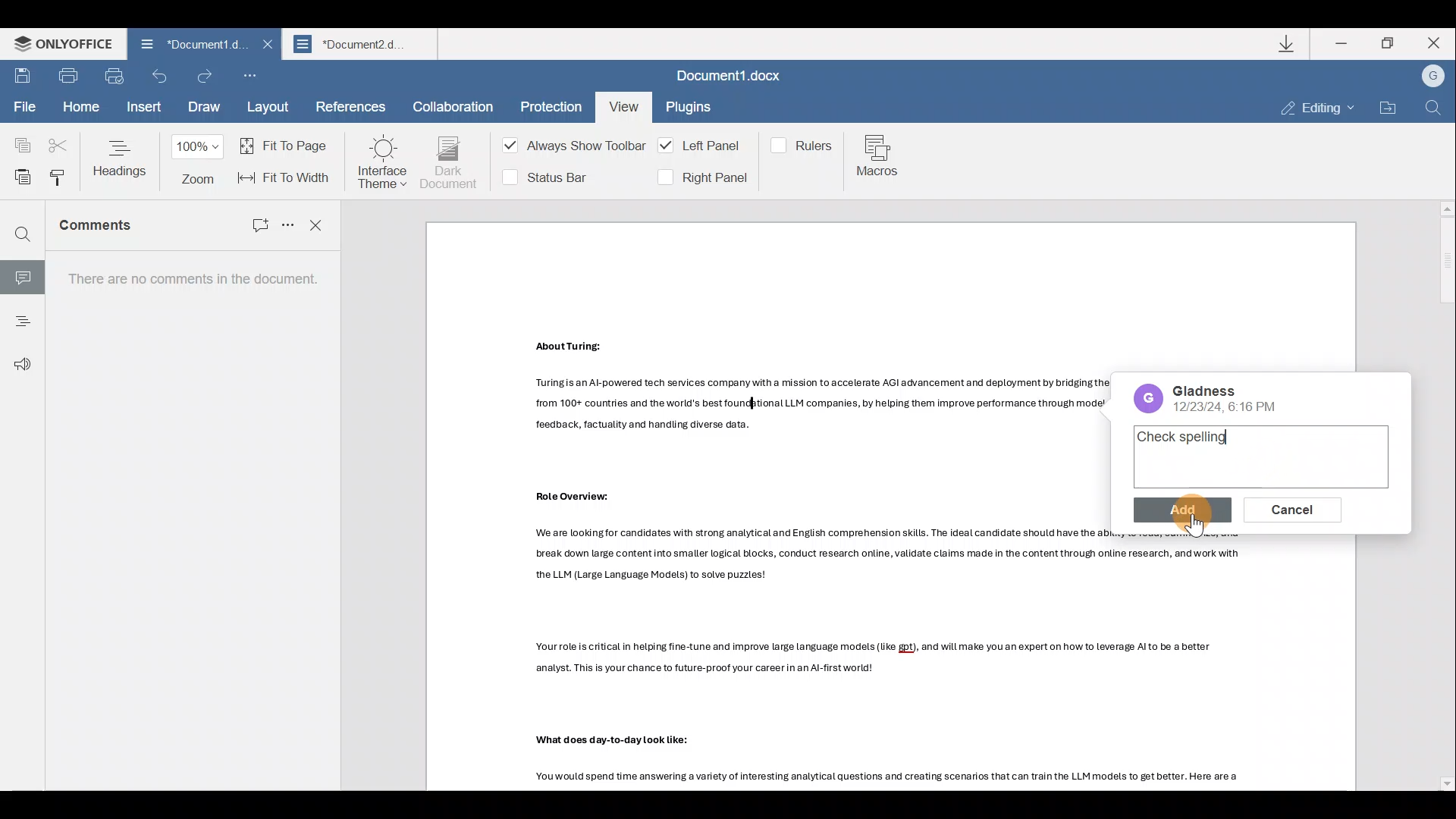 This screenshot has height=819, width=1456. Describe the element at coordinates (364, 46) in the screenshot. I see `Document2.d..` at that location.